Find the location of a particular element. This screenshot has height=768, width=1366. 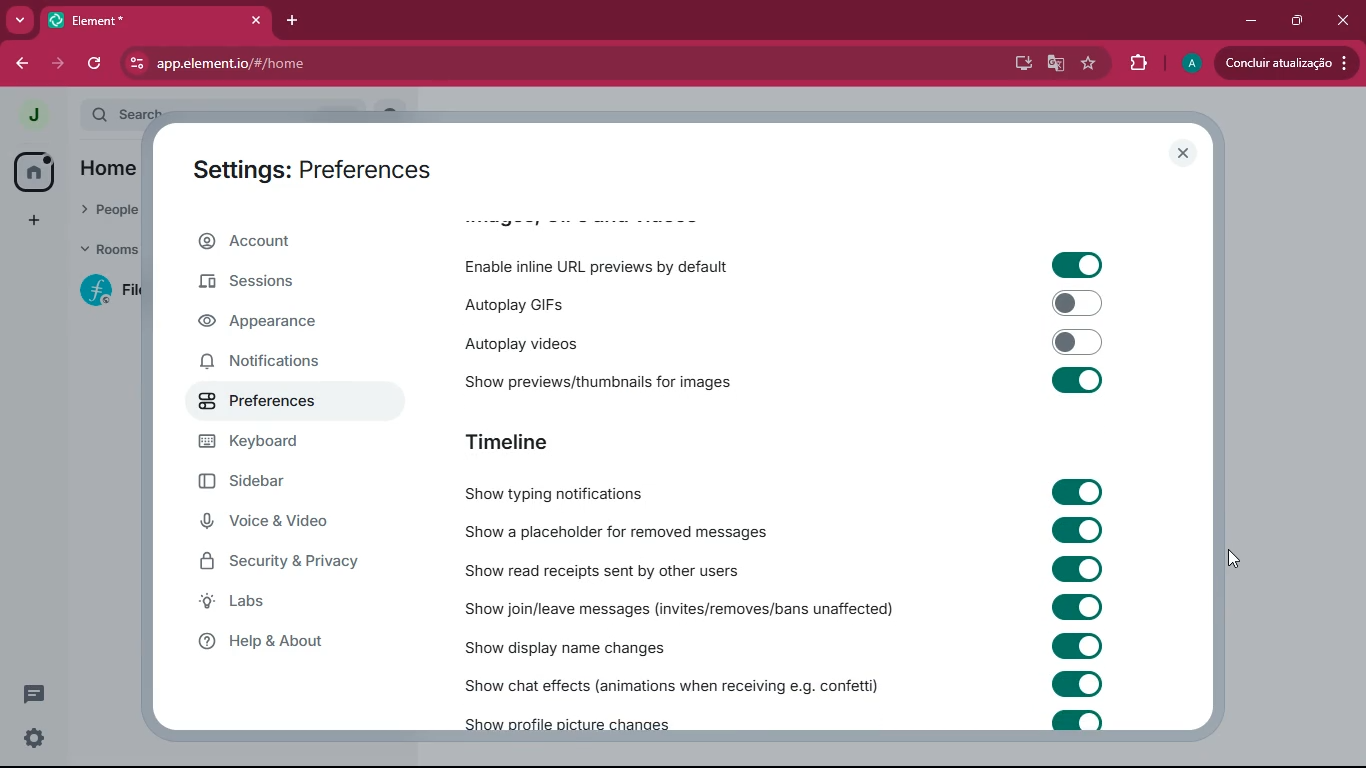

security & privacy is located at coordinates (280, 563).